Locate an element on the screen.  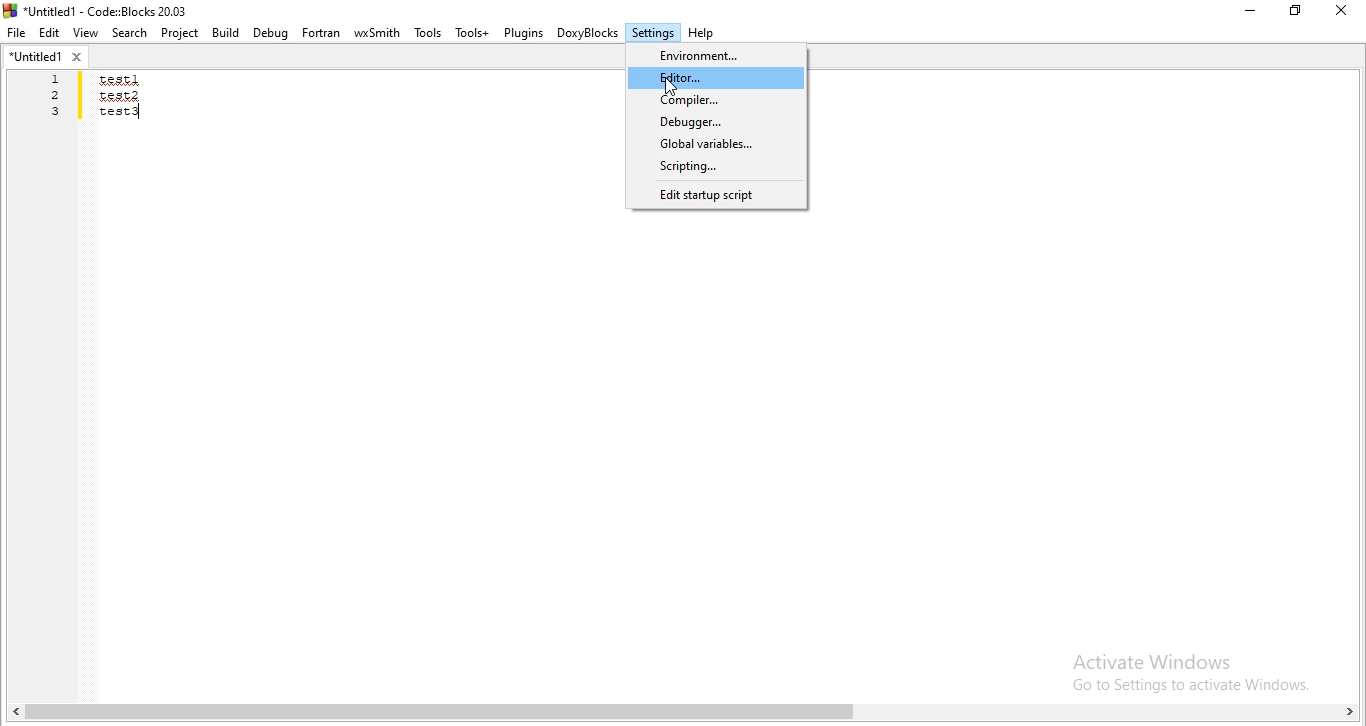
untitled is located at coordinates (46, 56).